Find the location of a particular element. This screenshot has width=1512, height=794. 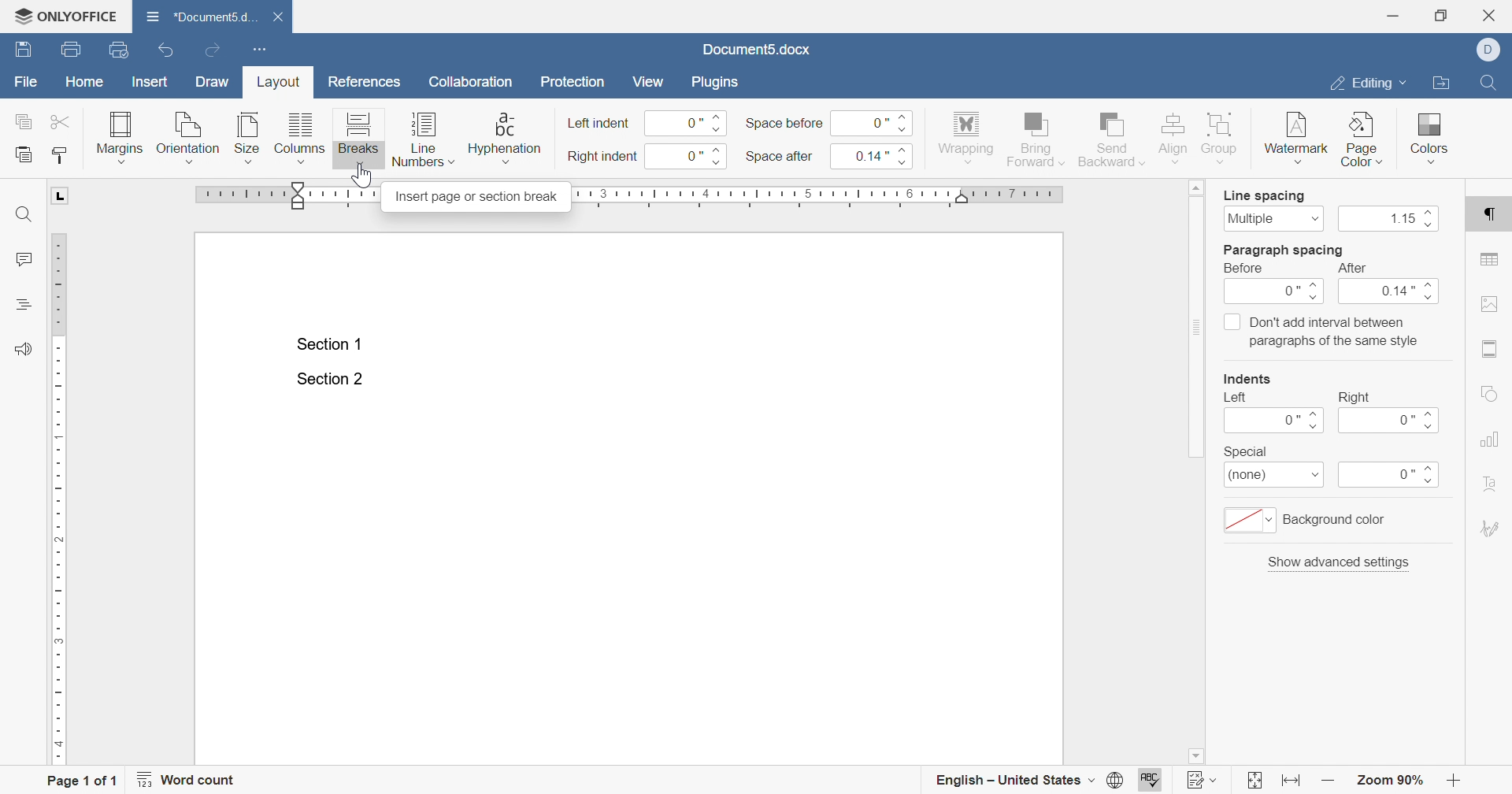

feedback & support is located at coordinates (24, 349).